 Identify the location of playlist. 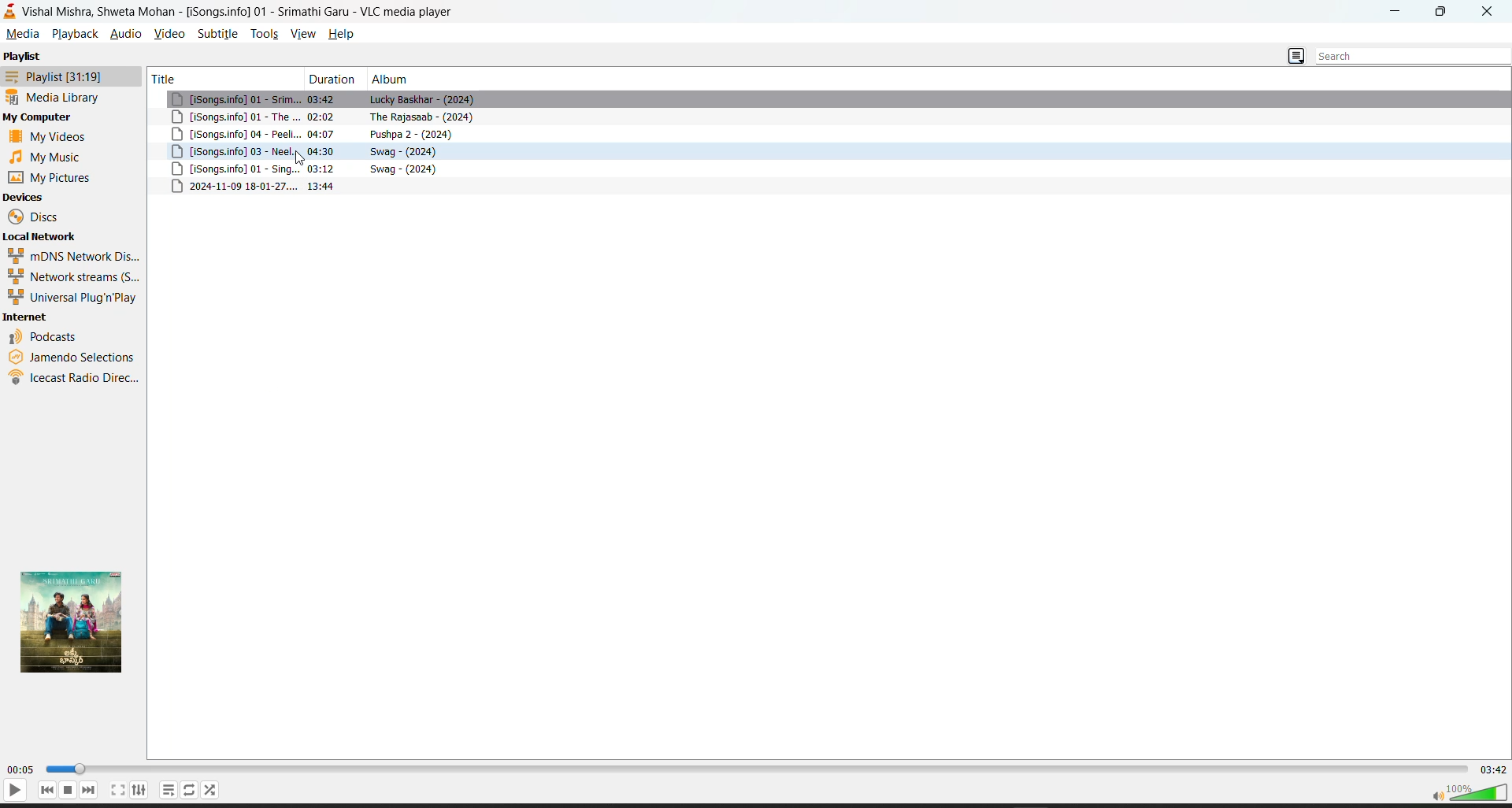
(52, 75).